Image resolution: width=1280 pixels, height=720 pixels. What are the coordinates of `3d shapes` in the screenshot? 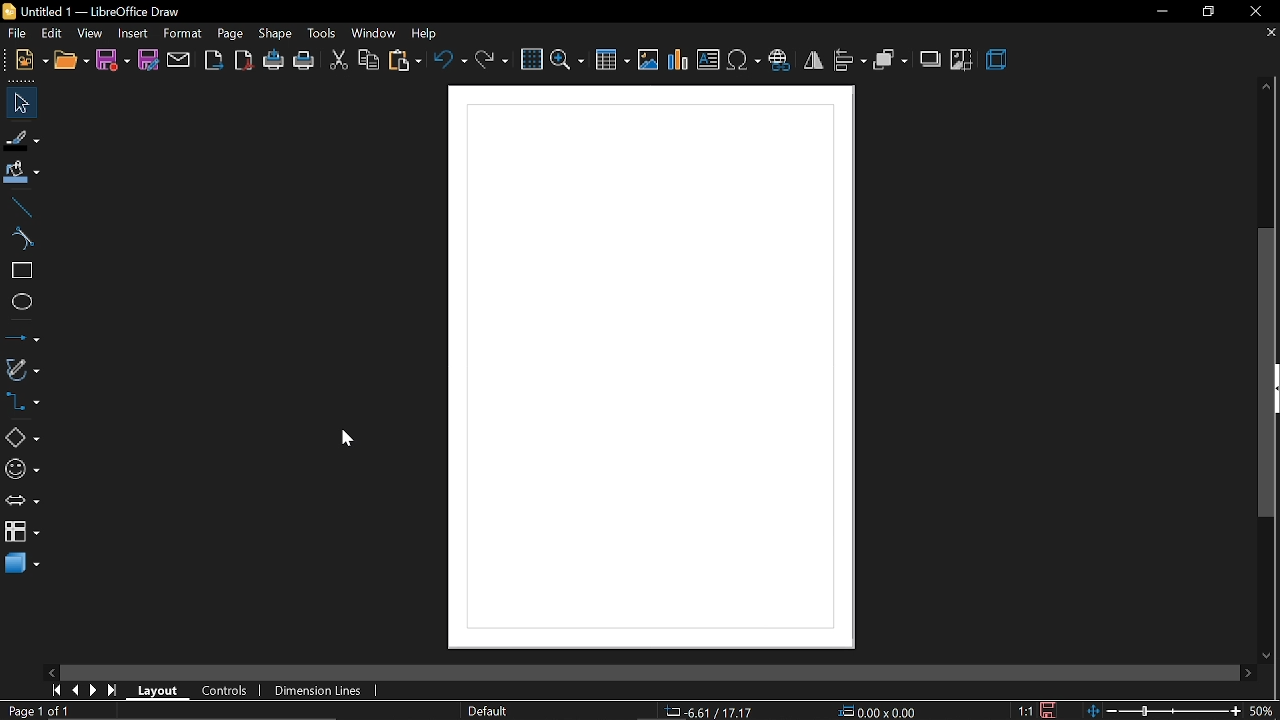 It's located at (23, 566).